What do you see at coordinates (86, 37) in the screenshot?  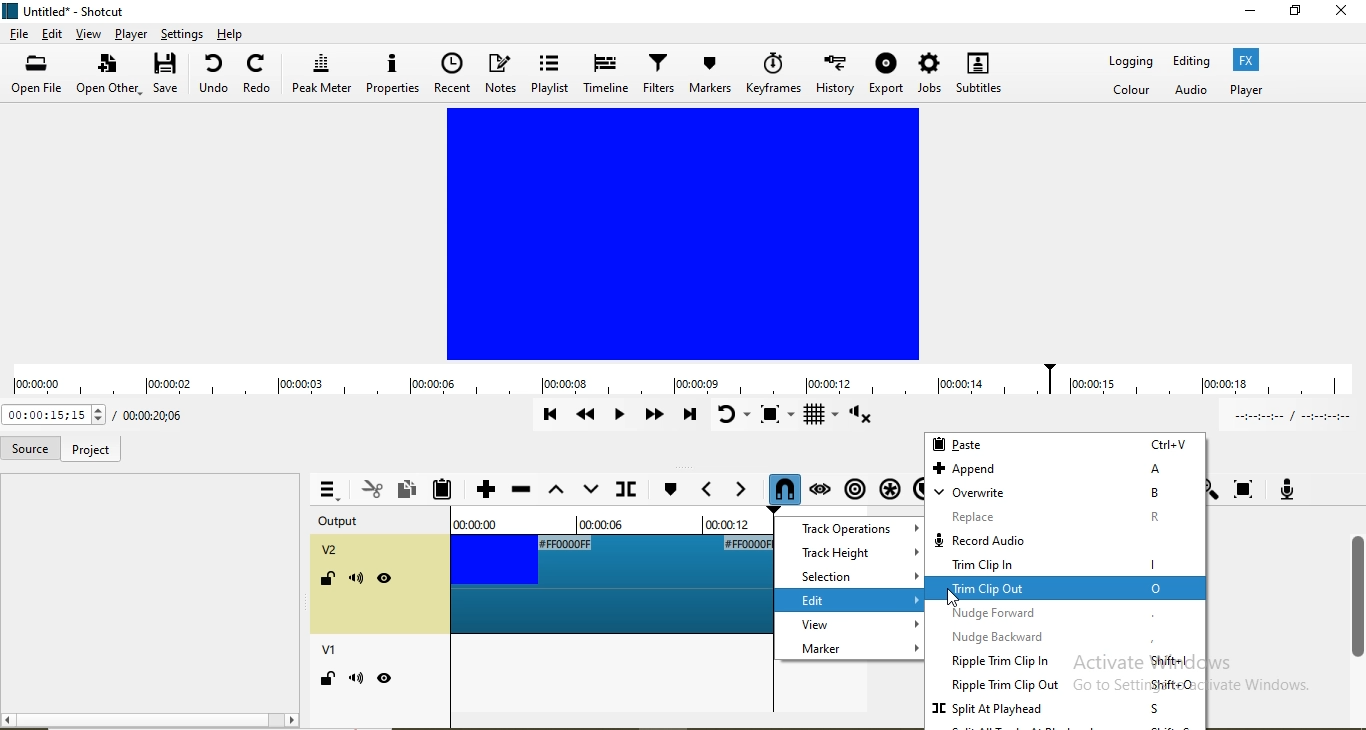 I see `view` at bounding box center [86, 37].